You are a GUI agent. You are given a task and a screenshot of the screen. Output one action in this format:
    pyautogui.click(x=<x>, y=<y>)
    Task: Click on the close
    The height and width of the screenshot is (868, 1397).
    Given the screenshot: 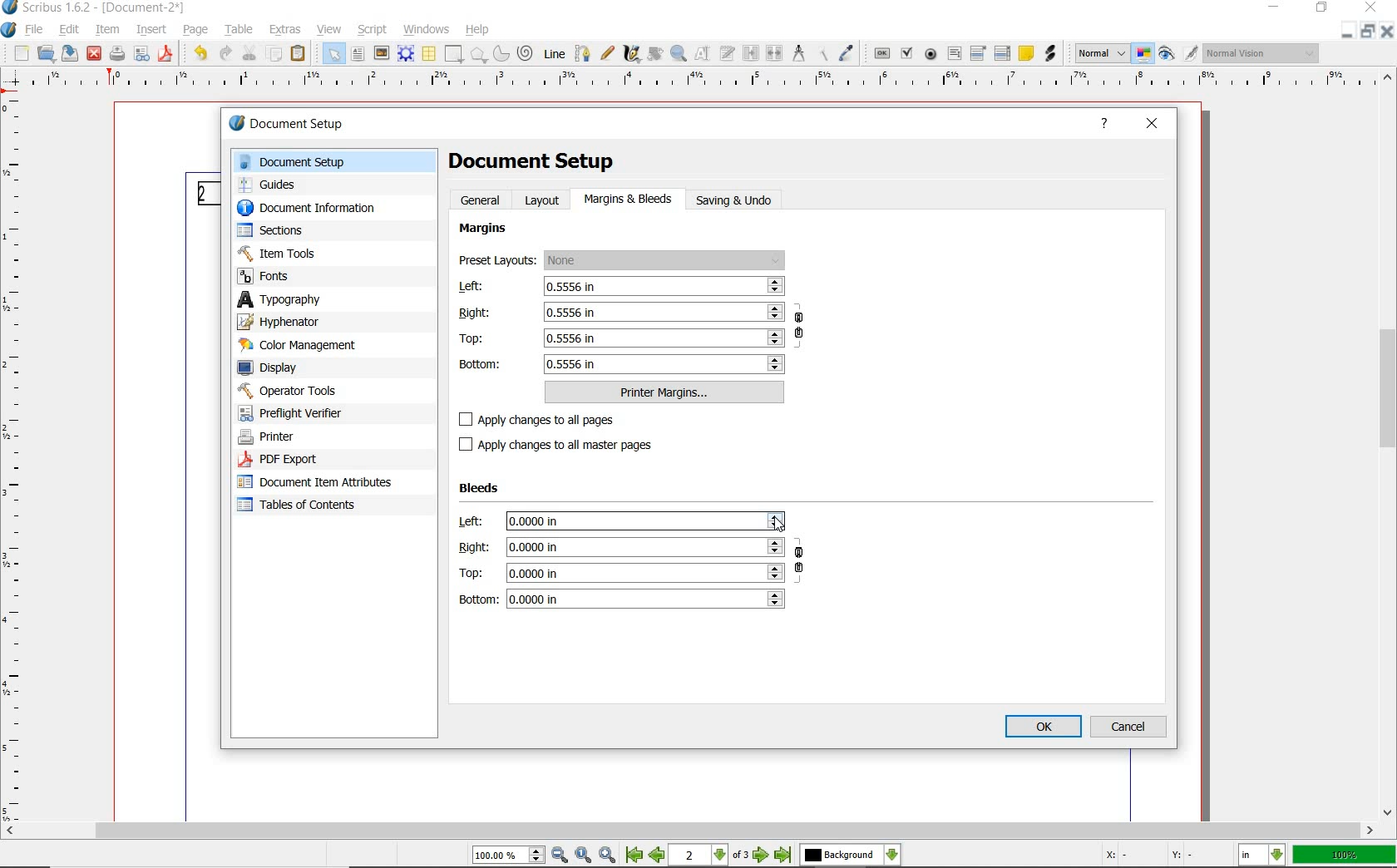 What is the action you would take?
    pyautogui.click(x=1154, y=121)
    